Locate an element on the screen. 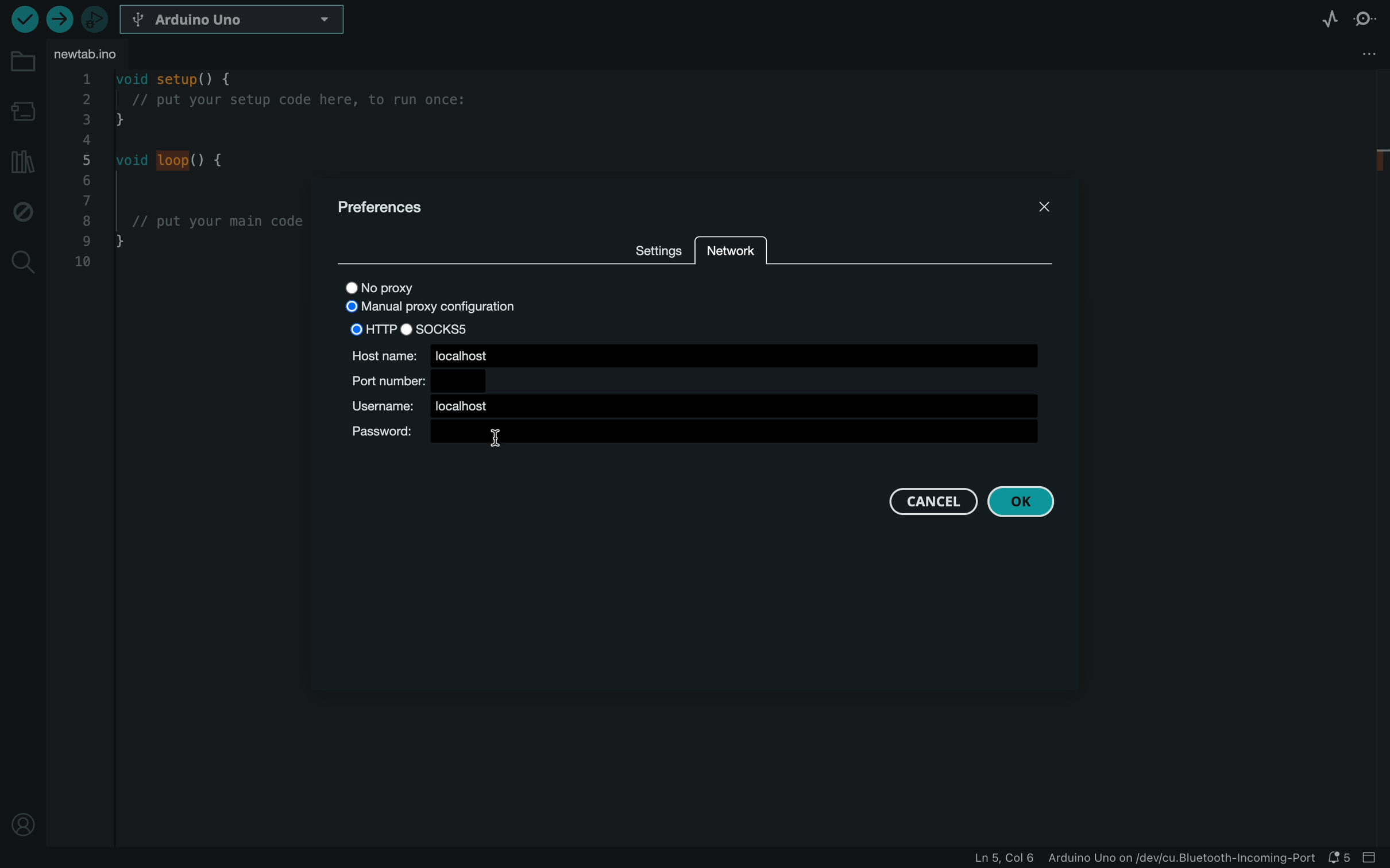  close is located at coordinates (1030, 210).